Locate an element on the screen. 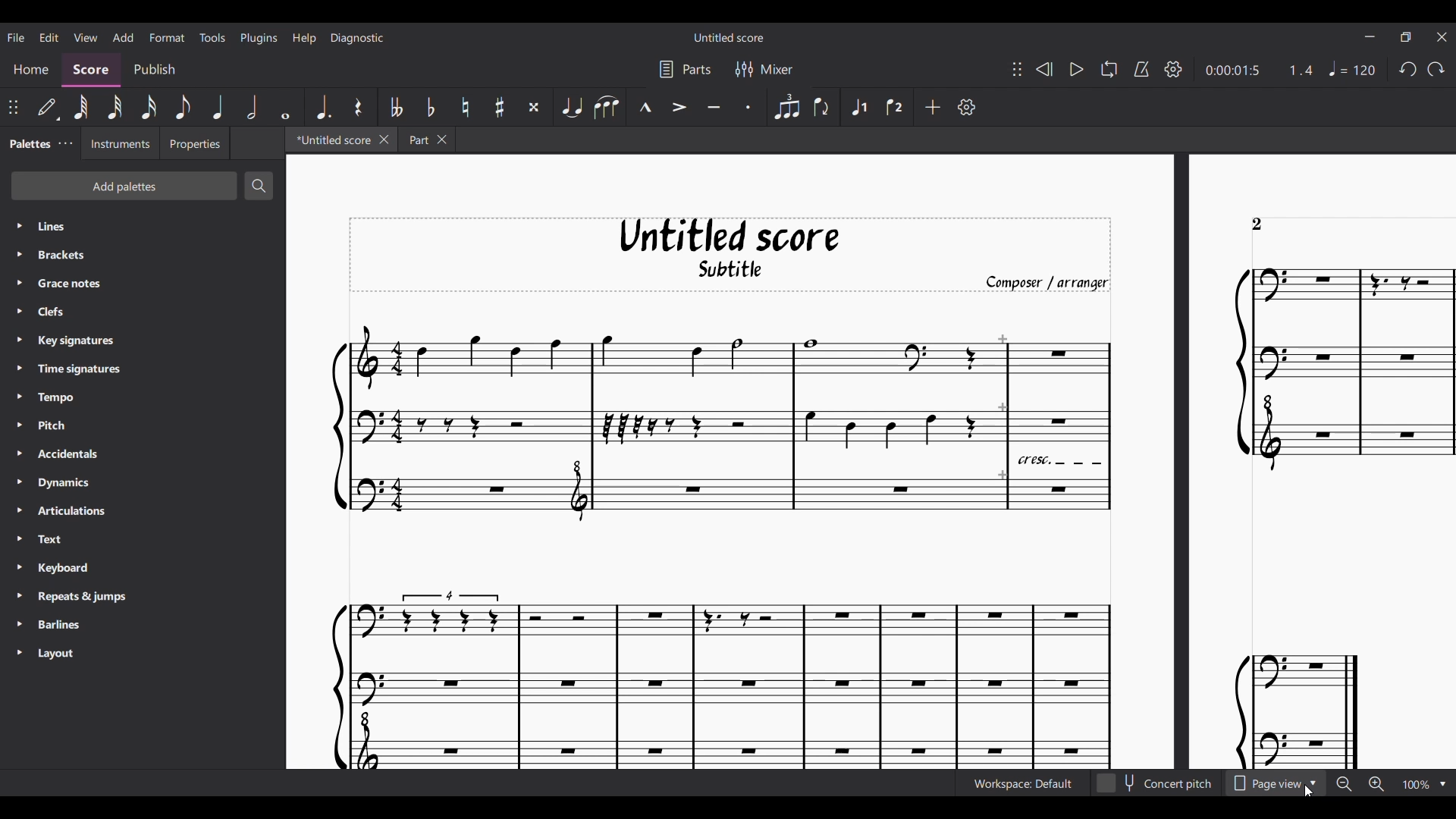 Image resolution: width=1456 pixels, height=819 pixels. Slur is located at coordinates (606, 107).